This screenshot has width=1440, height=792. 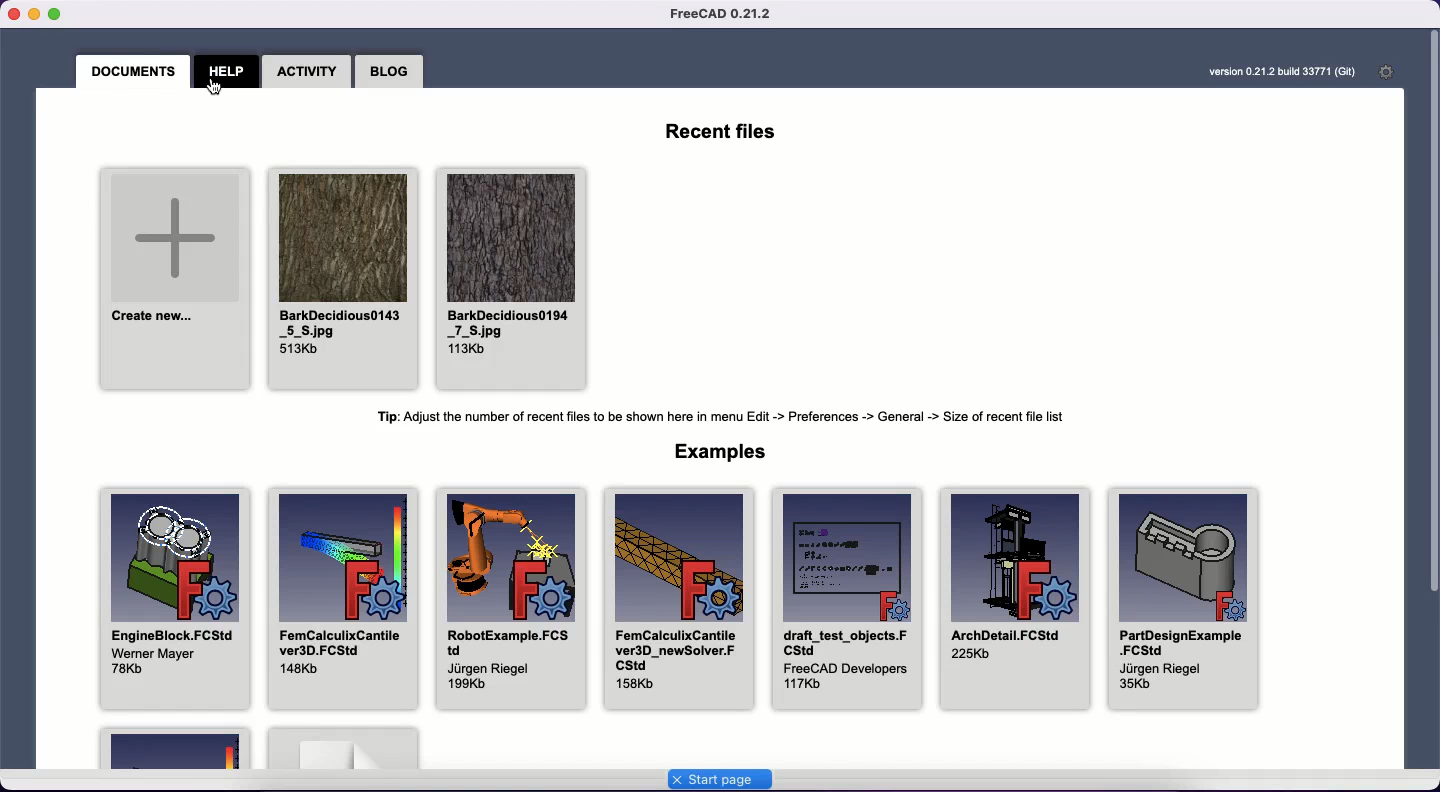 I want to click on Activity, so click(x=305, y=69).